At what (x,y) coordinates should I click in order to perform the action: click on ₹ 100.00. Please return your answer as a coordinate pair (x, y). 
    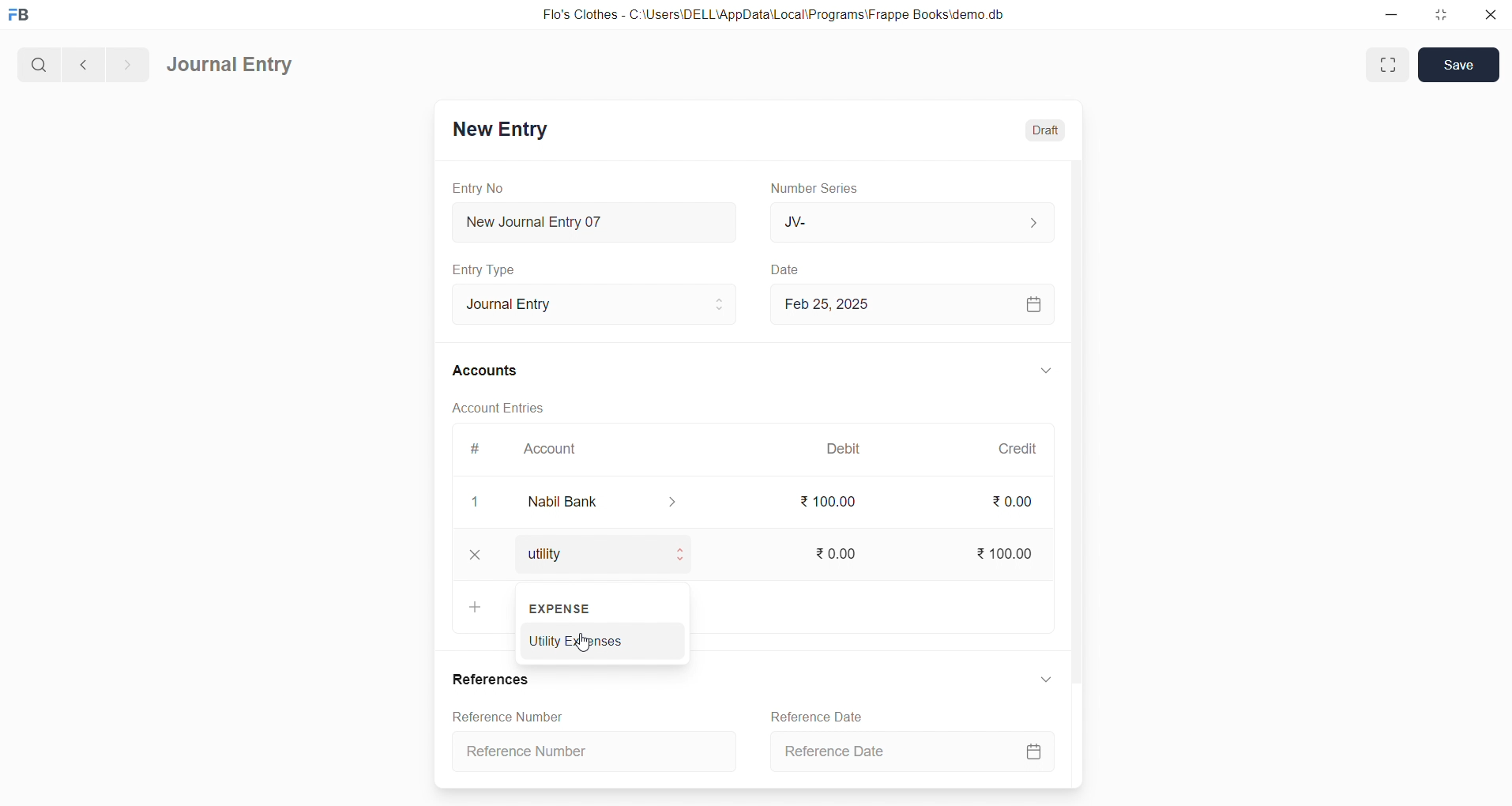
    Looking at the image, I should click on (829, 502).